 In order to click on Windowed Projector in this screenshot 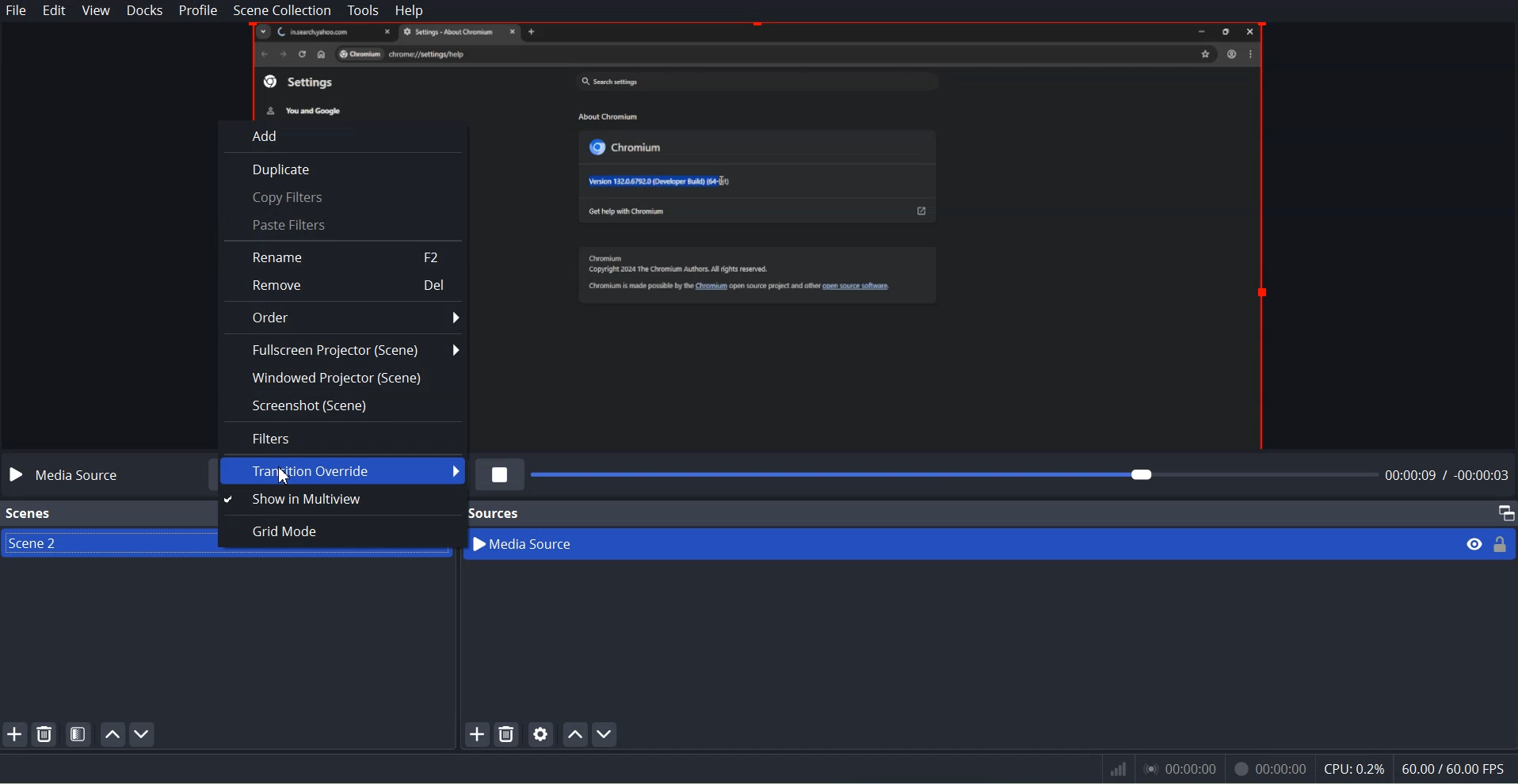, I will do `click(342, 378)`.